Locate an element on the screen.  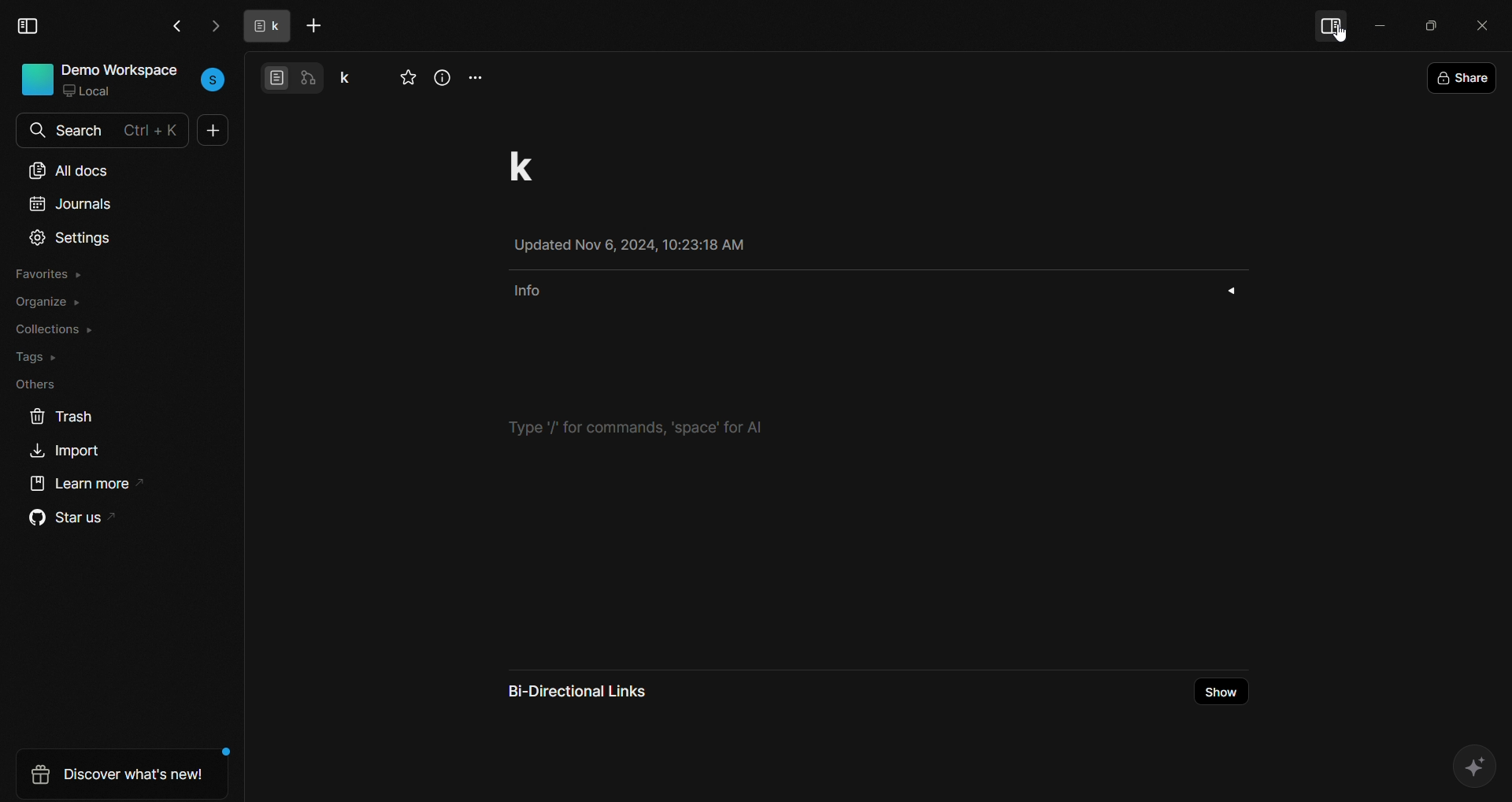
type '/' for commands, 'space'' for ai is located at coordinates (656, 429).